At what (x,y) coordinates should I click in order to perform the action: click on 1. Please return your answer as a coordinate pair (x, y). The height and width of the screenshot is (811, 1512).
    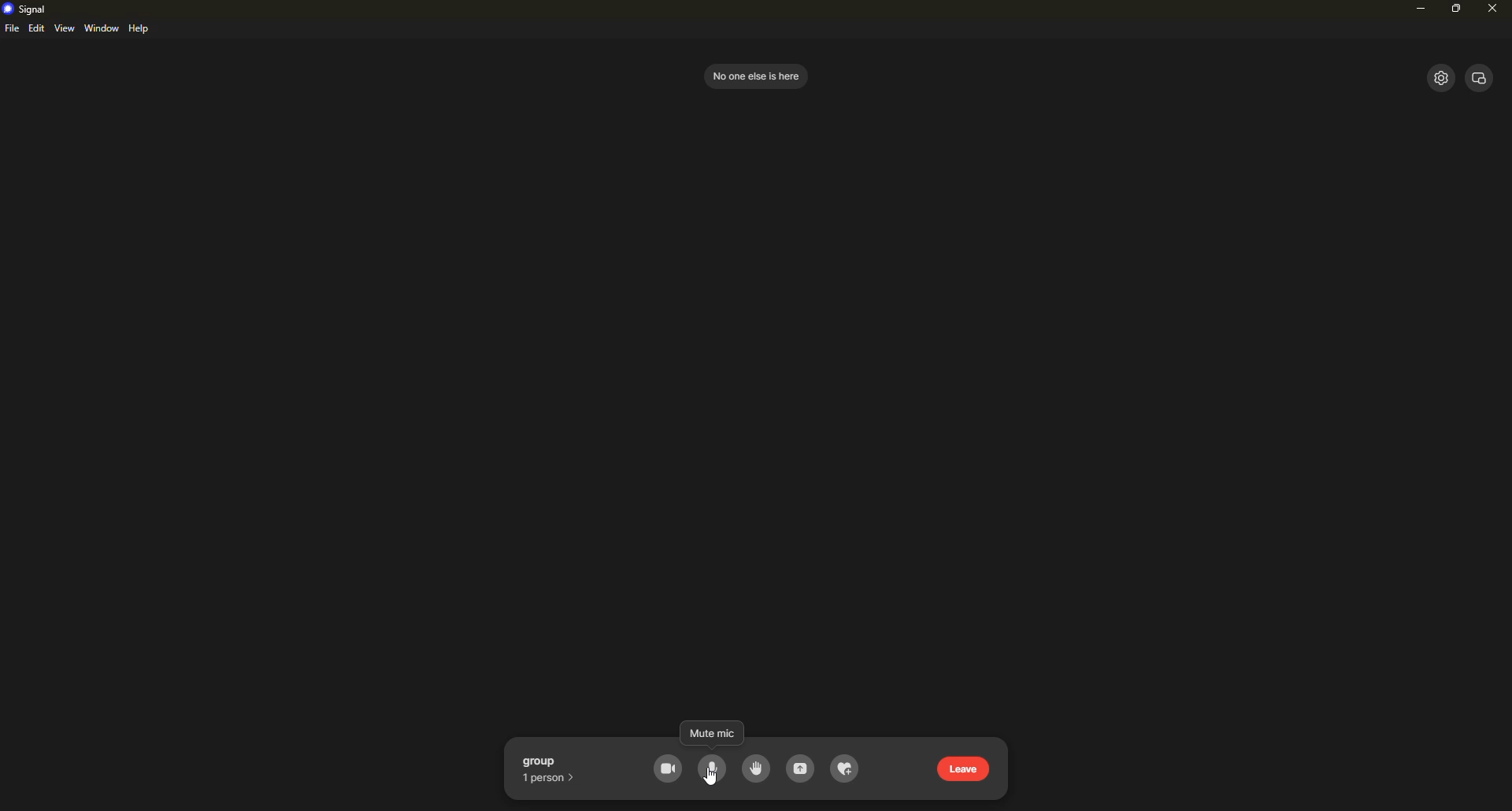
    Looking at the image, I should click on (551, 777).